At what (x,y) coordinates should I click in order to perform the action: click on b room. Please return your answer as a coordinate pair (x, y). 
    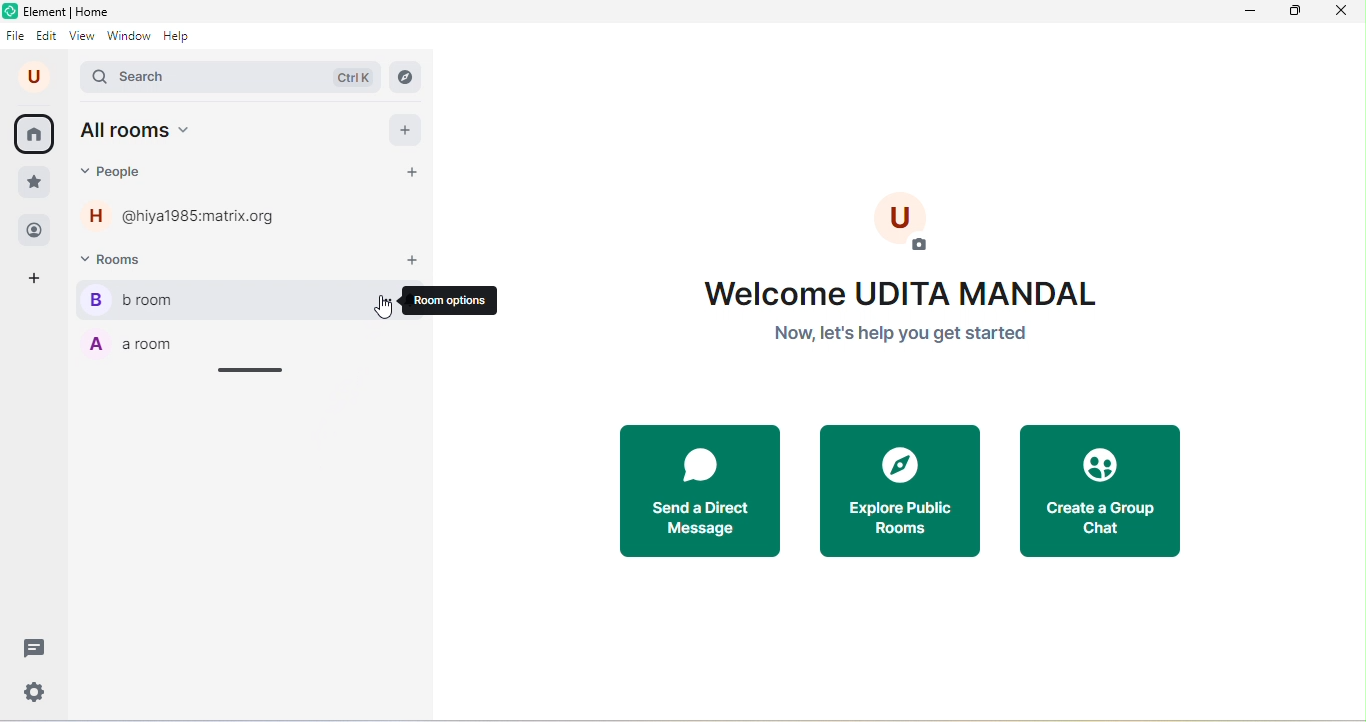
    Looking at the image, I should click on (201, 297).